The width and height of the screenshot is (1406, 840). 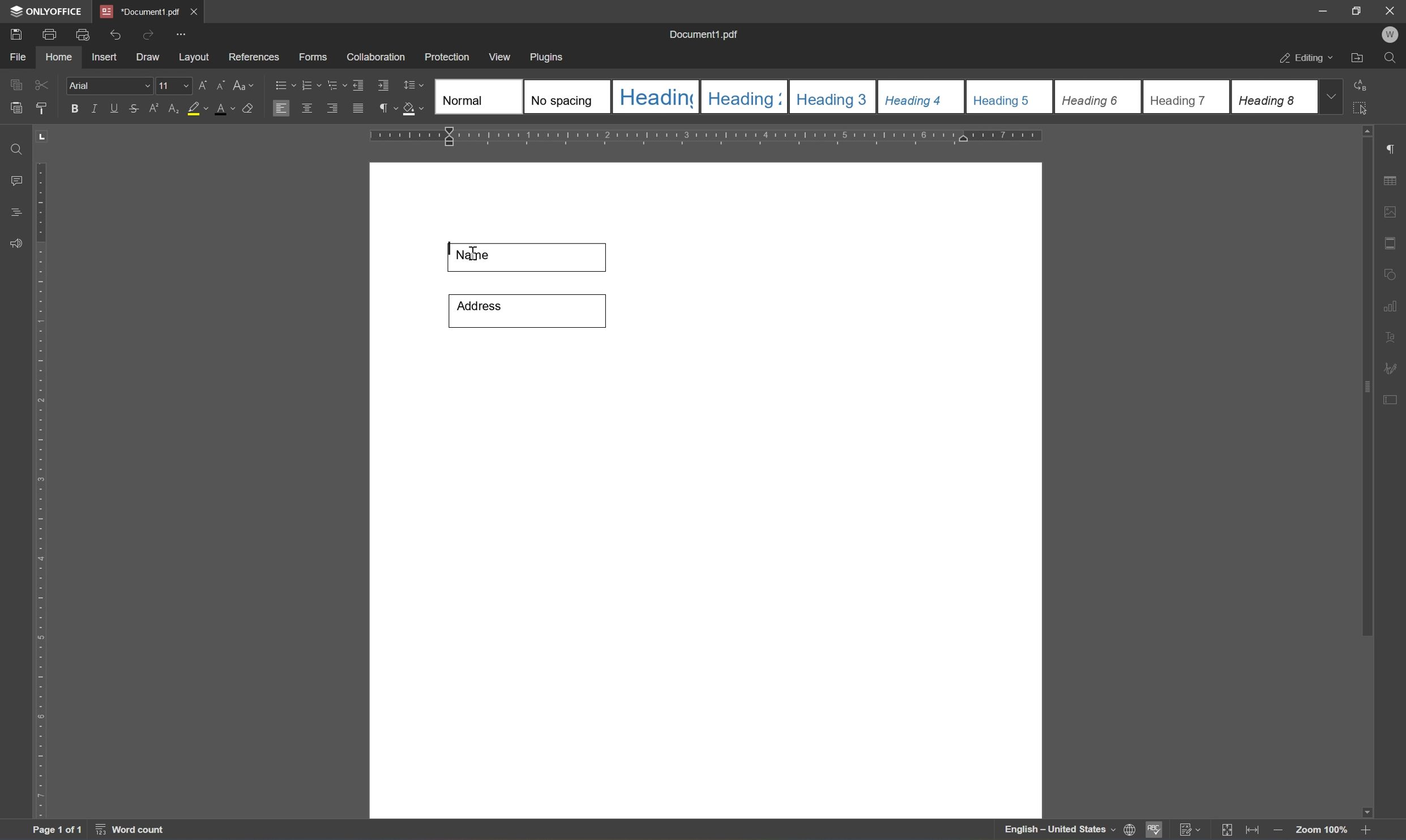 I want to click on change case, so click(x=245, y=87).